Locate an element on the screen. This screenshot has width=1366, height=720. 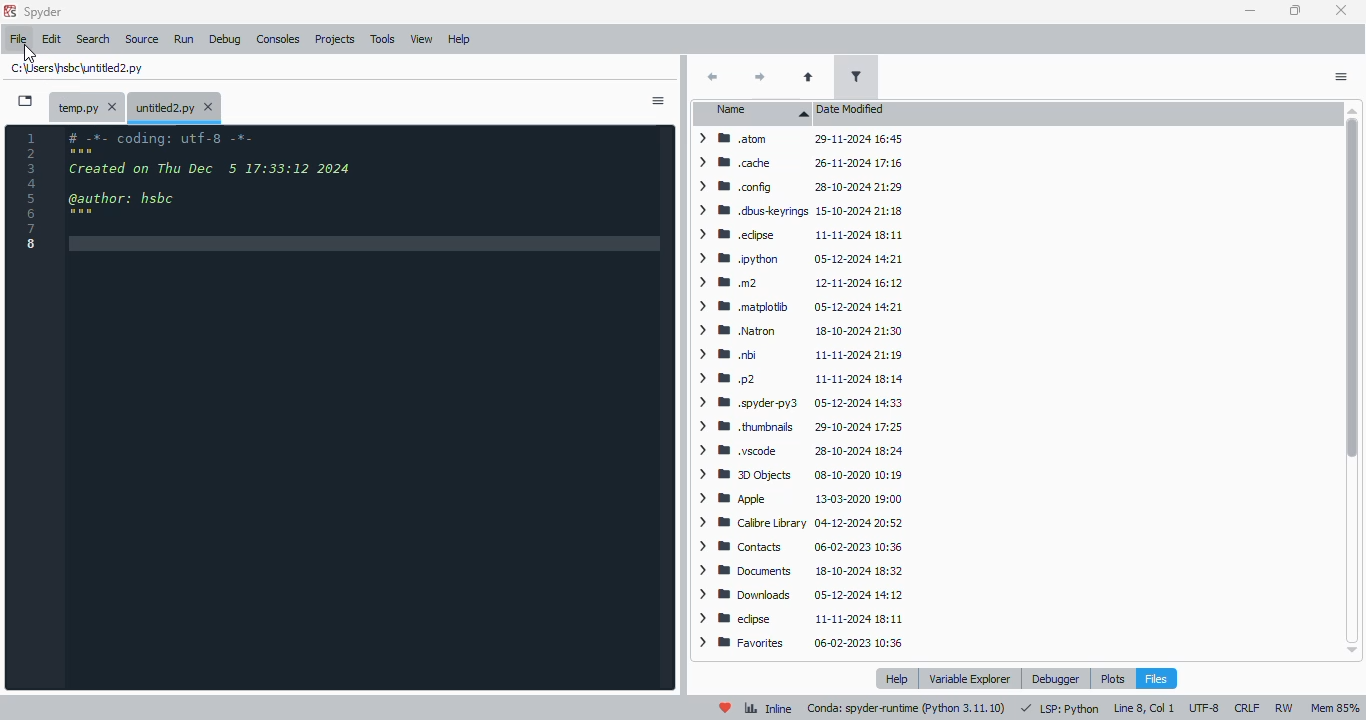
untitled2.py is located at coordinates (76, 68).